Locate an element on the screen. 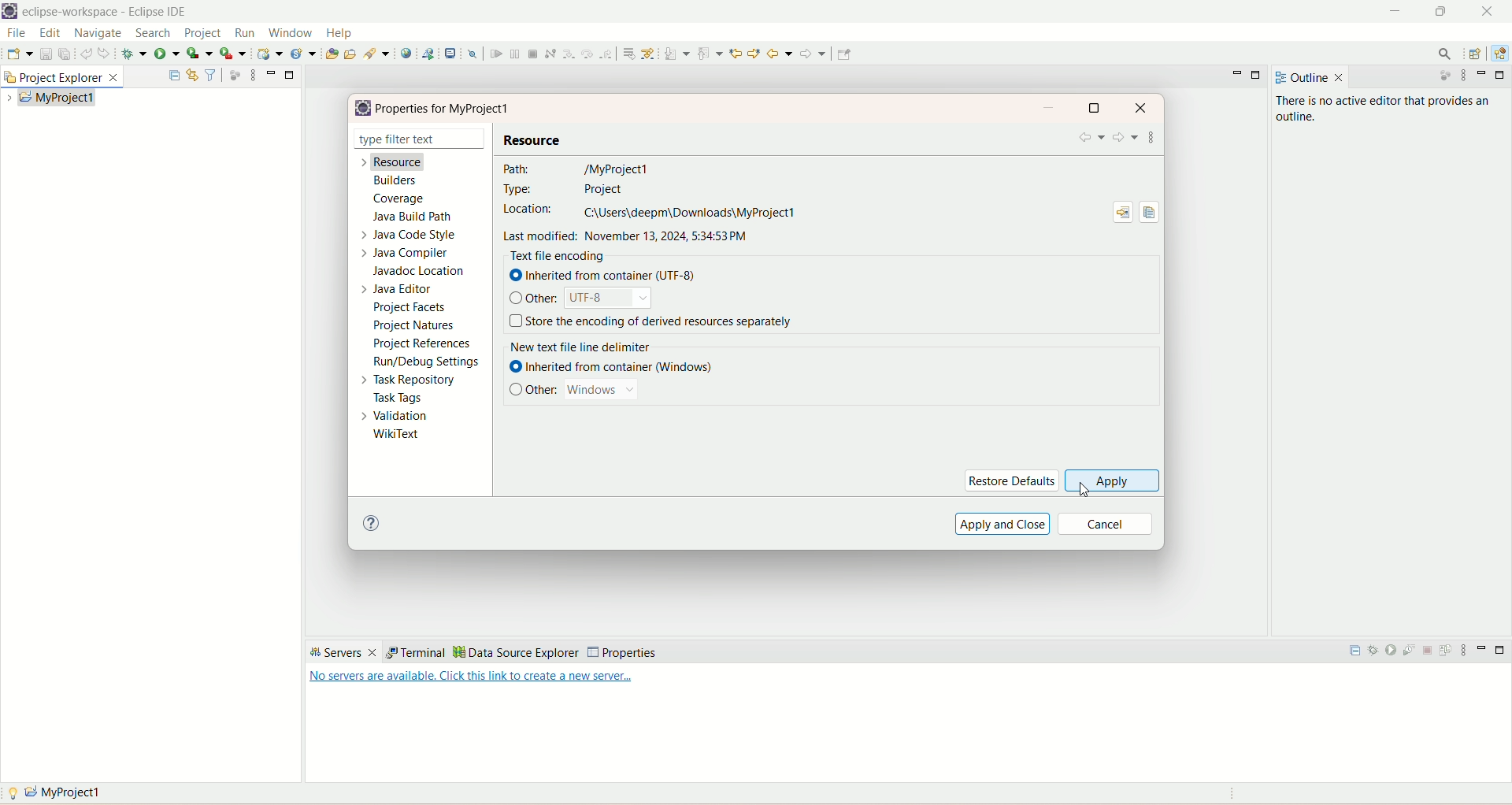 This screenshot has width=1512, height=805. drop to frame is located at coordinates (630, 54).